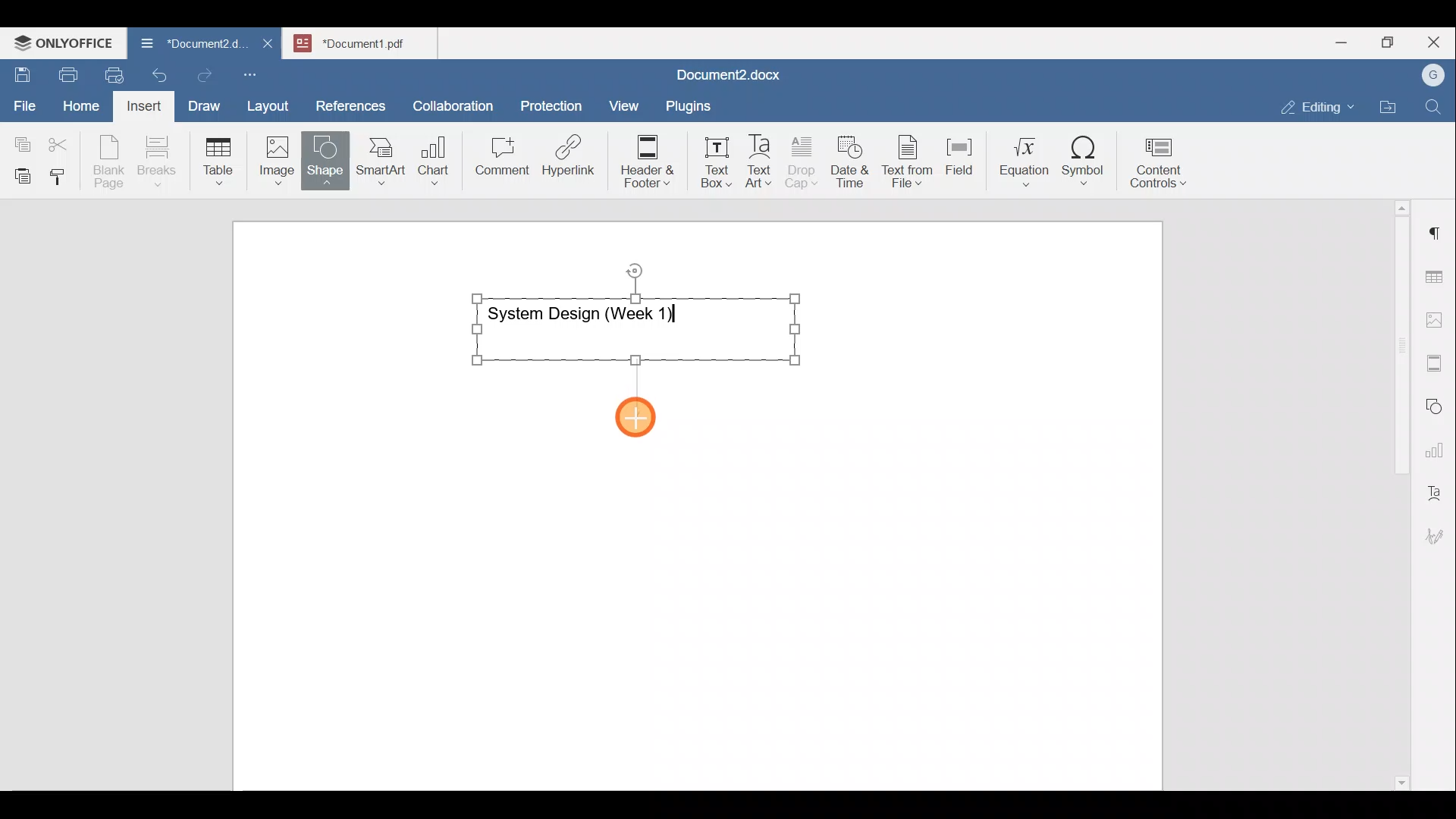 The image size is (1456, 819). Describe the element at coordinates (378, 158) in the screenshot. I see `SmartArt` at that location.